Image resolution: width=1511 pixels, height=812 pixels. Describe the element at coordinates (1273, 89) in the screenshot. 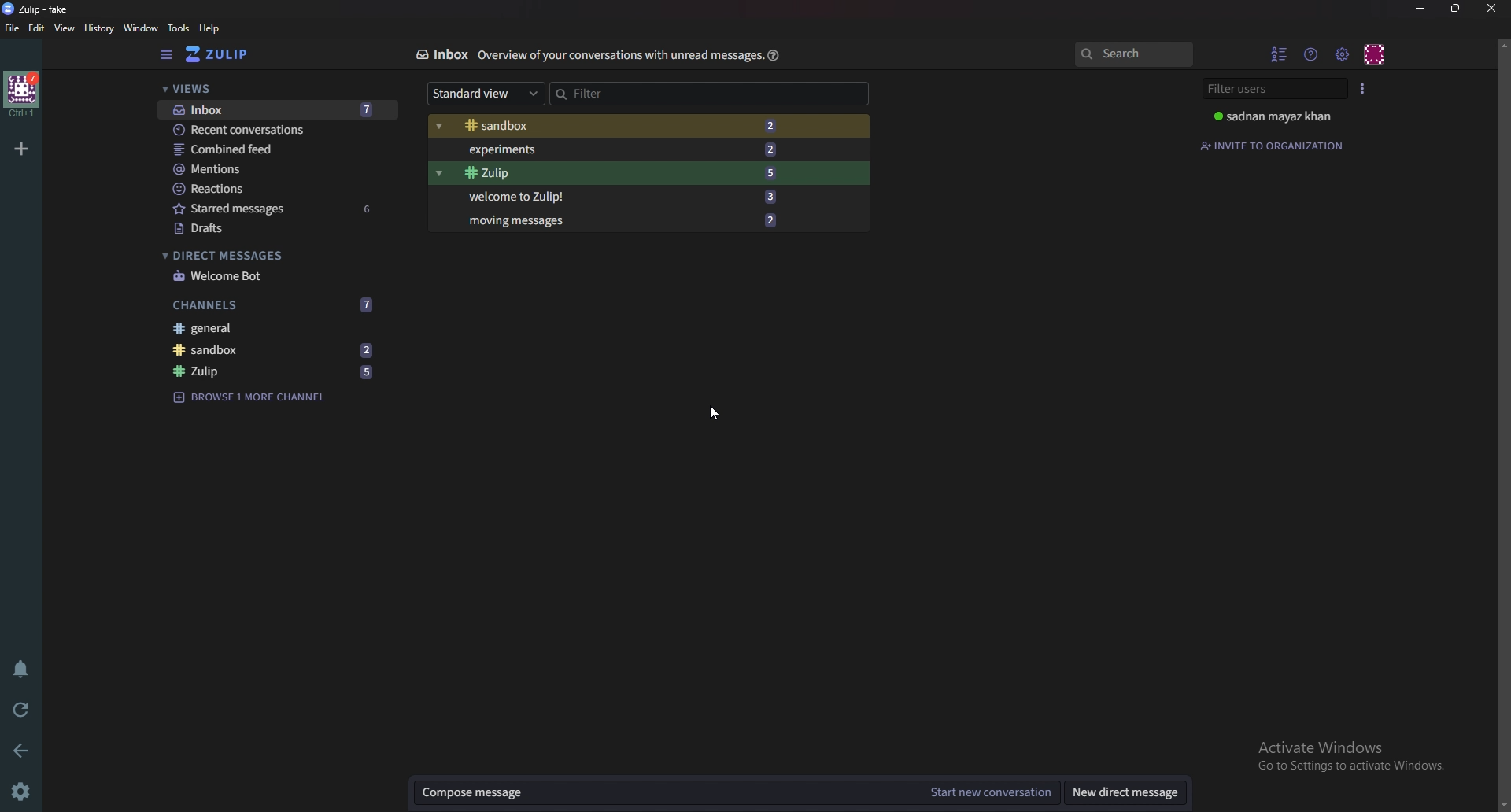

I see `Filter users` at that location.